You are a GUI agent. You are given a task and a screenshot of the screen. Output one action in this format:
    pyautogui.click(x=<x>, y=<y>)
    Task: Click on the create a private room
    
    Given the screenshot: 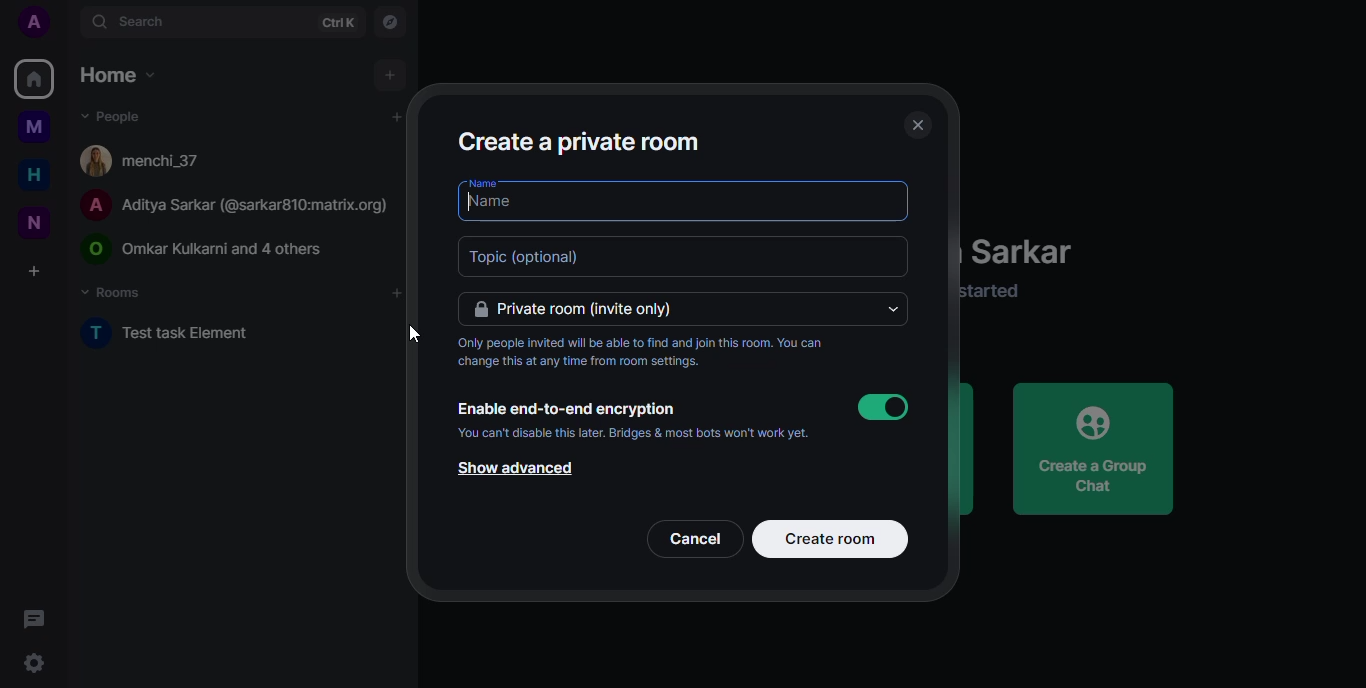 What is the action you would take?
    pyautogui.click(x=580, y=143)
    